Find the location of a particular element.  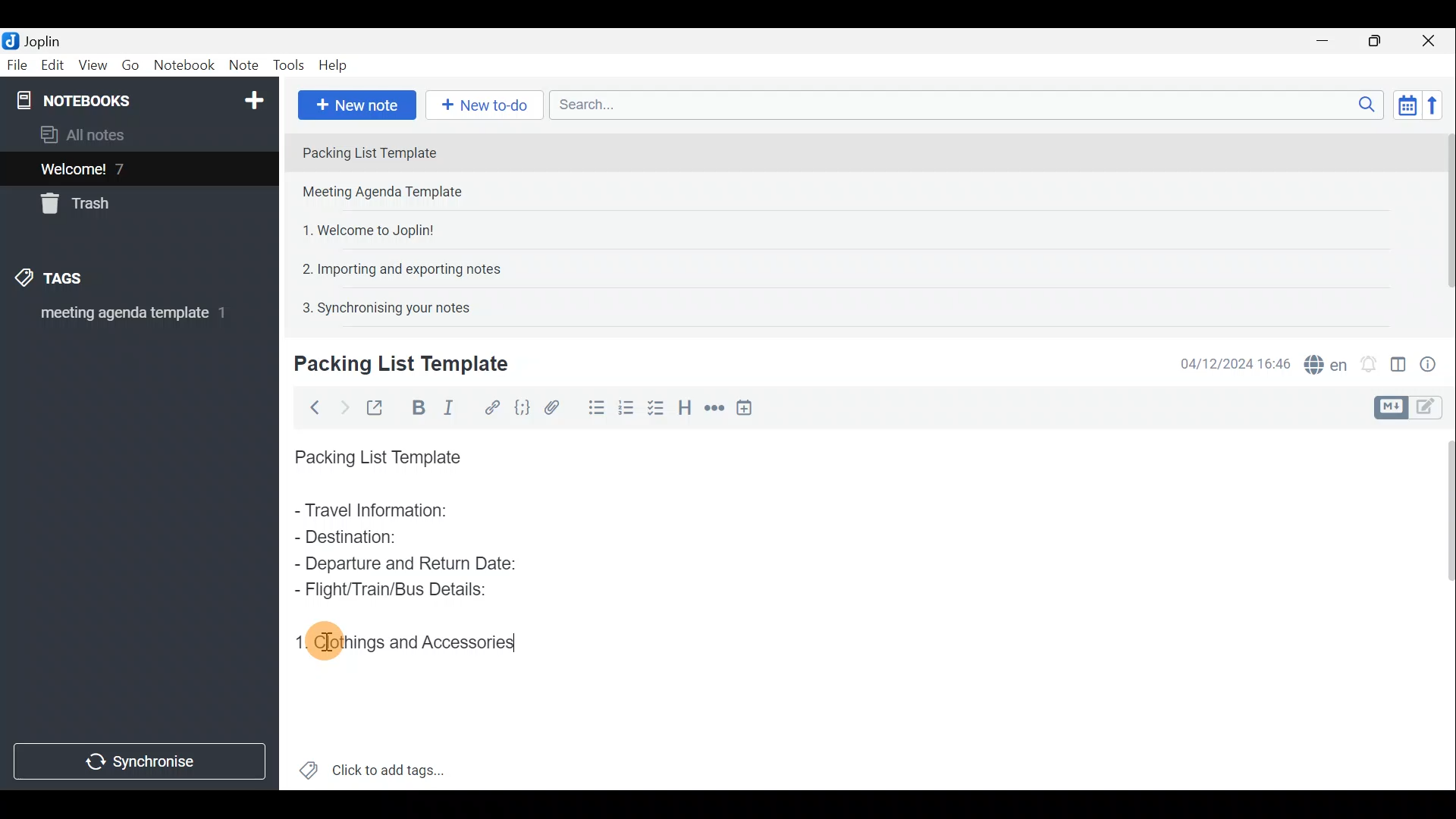

Set alarm is located at coordinates (1368, 360).